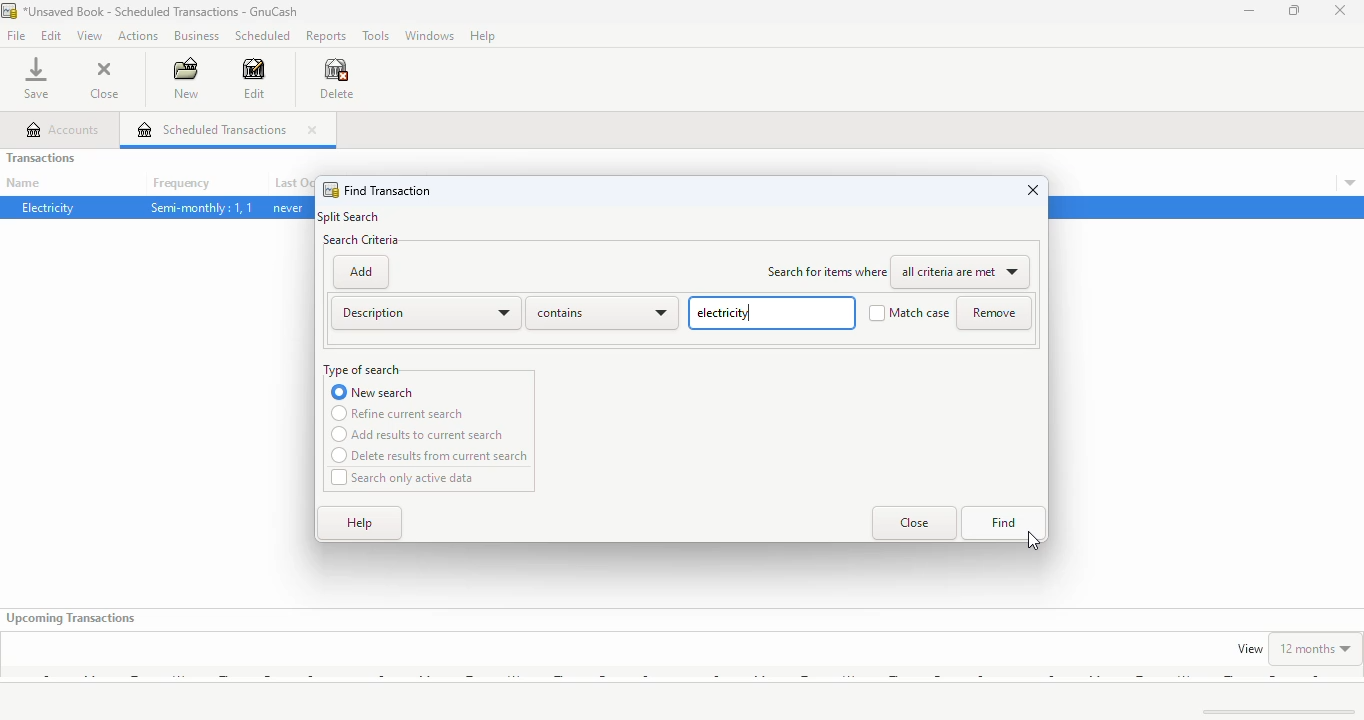 The image size is (1364, 720). Describe the element at coordinates (17, 35) in the screenshot. I see `file` at that location.